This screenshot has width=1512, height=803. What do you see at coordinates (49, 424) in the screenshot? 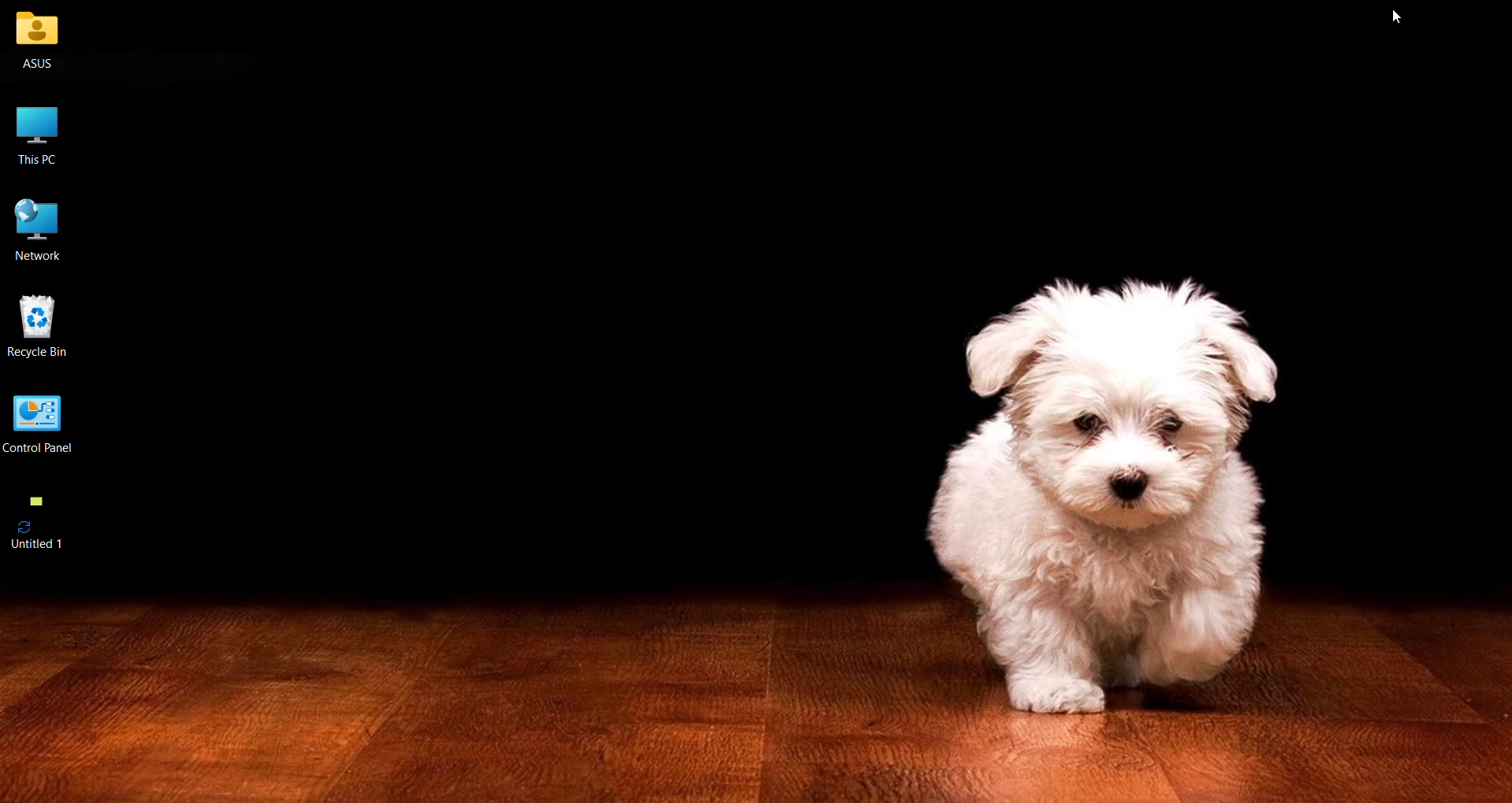
I see `control panel` at bounding box center [49, 424].